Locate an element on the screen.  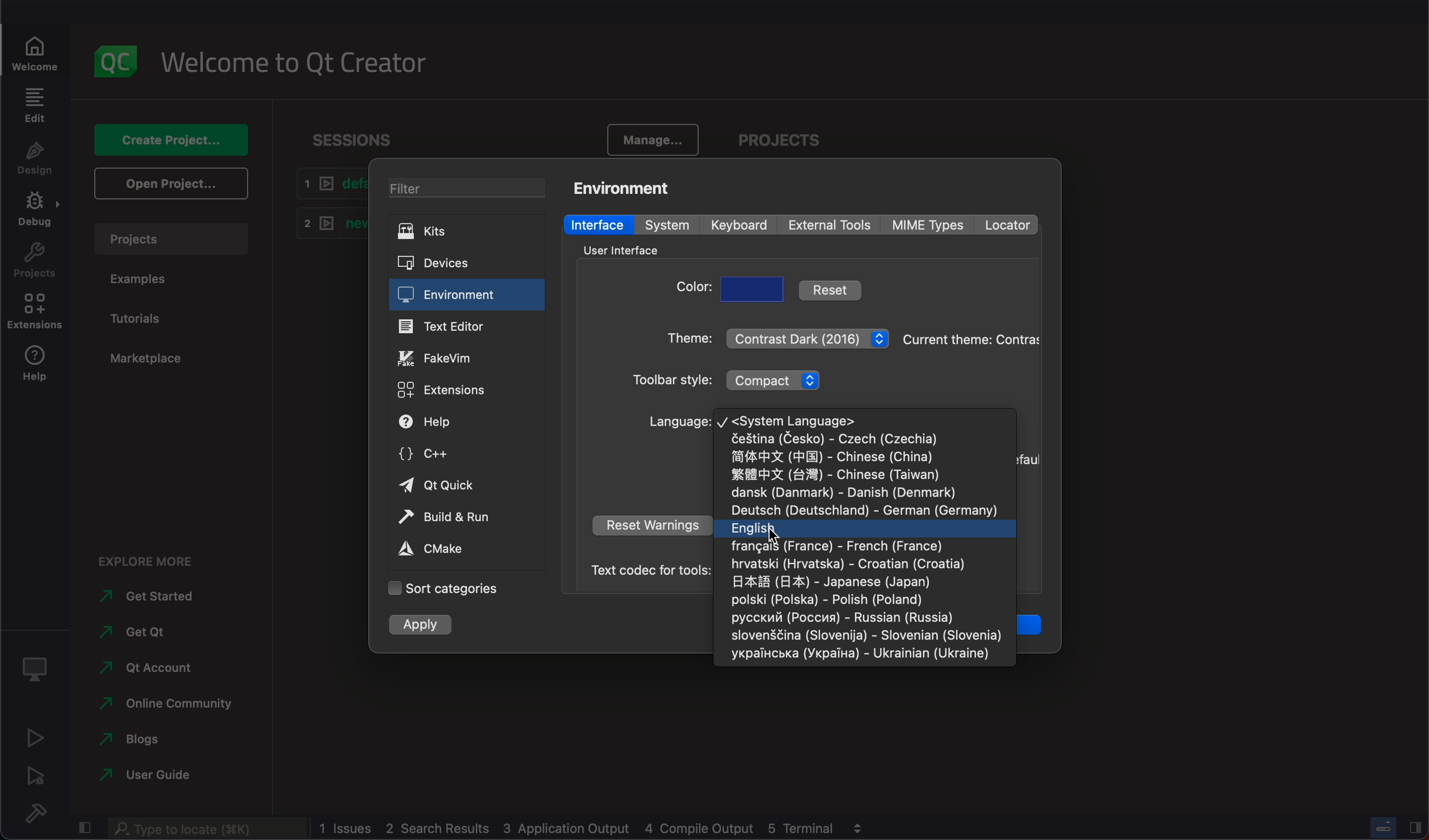
denmark is located at coordinates (845, 495).